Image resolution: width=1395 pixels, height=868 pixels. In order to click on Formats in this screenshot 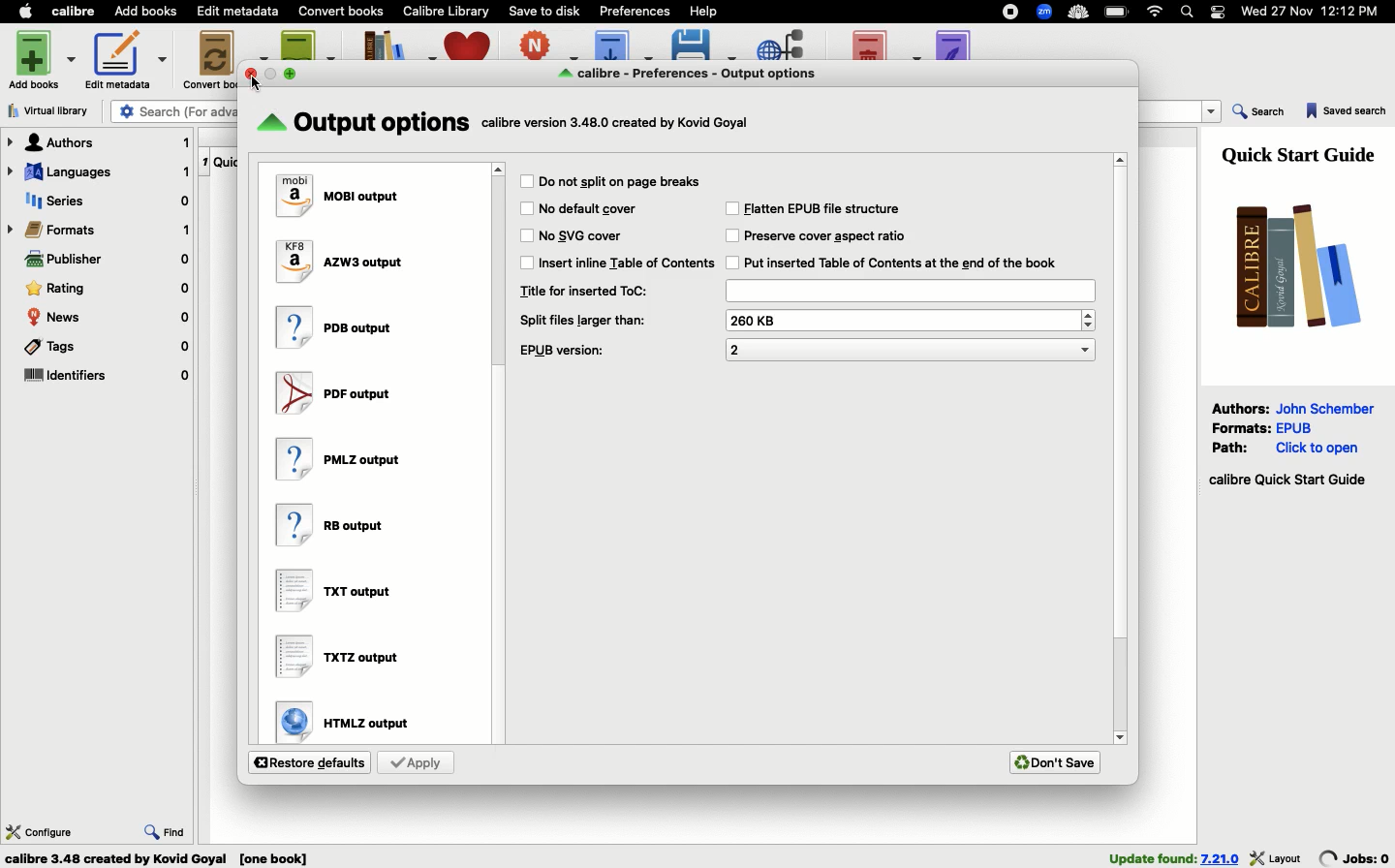, I will do `click(100, 230)`.